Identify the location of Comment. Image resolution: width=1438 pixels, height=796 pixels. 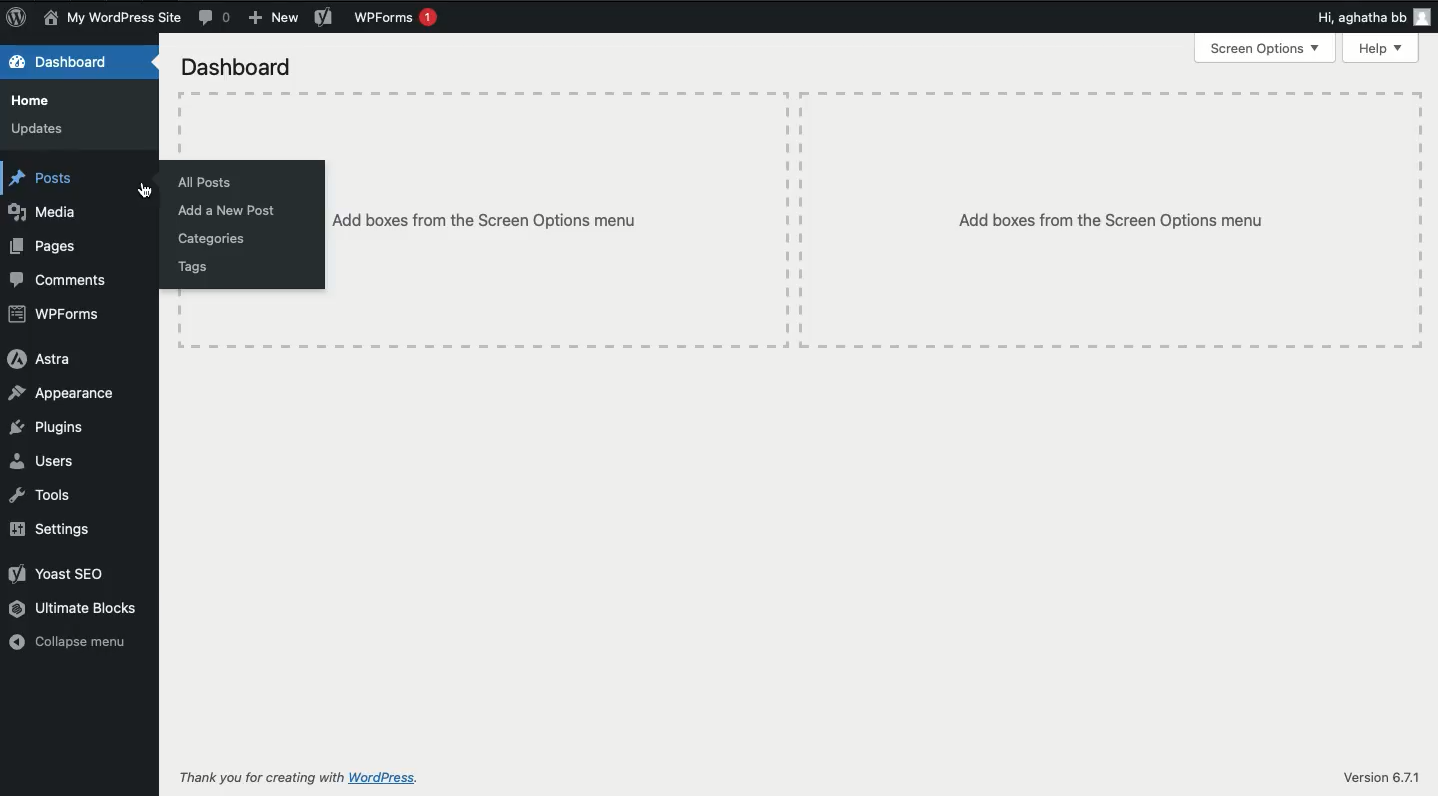
(216, 18).